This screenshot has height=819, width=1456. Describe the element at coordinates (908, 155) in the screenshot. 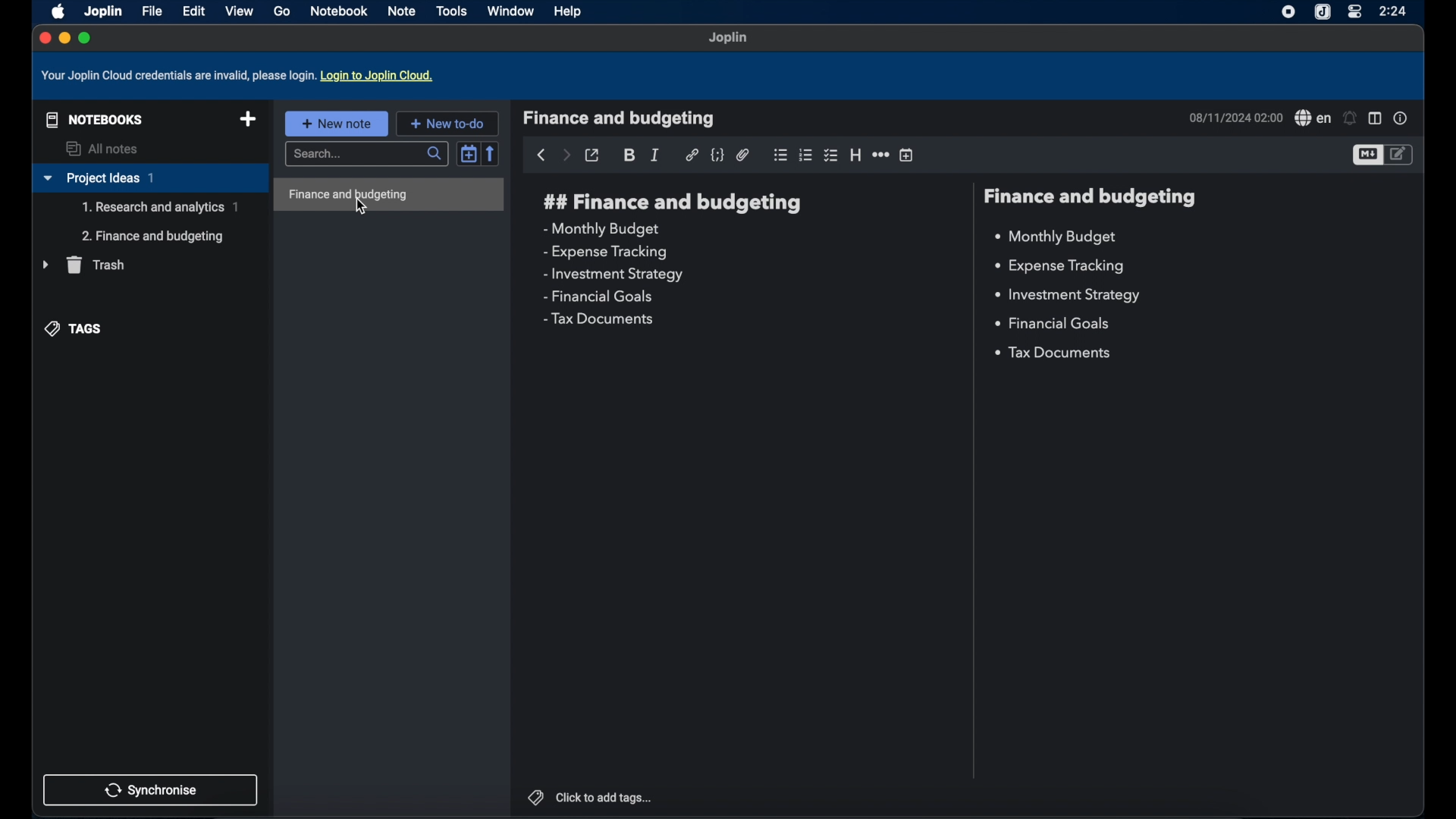

I see `insert time` at that location.